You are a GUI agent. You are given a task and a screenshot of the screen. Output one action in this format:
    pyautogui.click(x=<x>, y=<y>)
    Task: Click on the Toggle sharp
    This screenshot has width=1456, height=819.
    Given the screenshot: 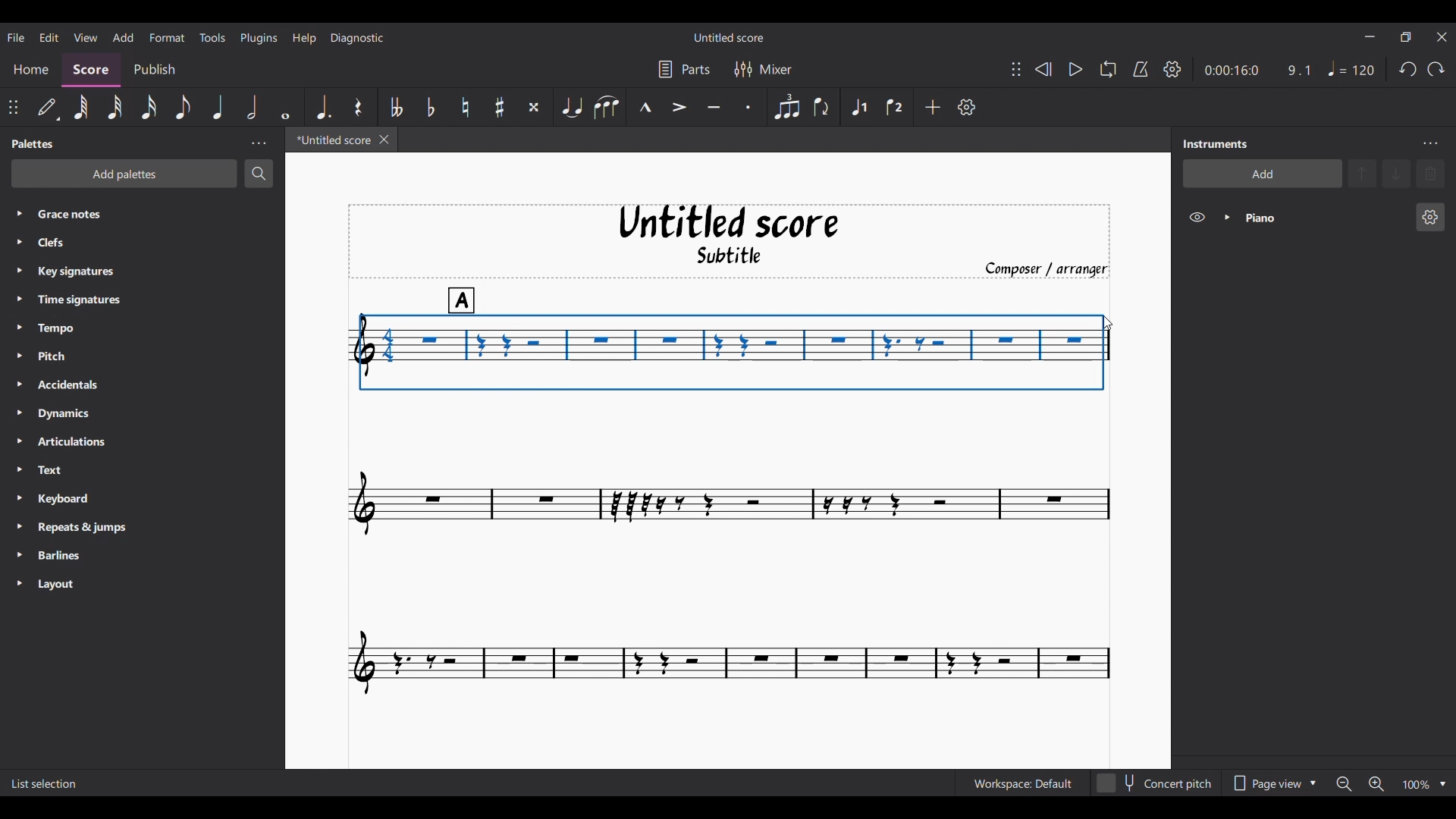 What is the action you would take?
    pyautogui.click(x=500, y=106)
    